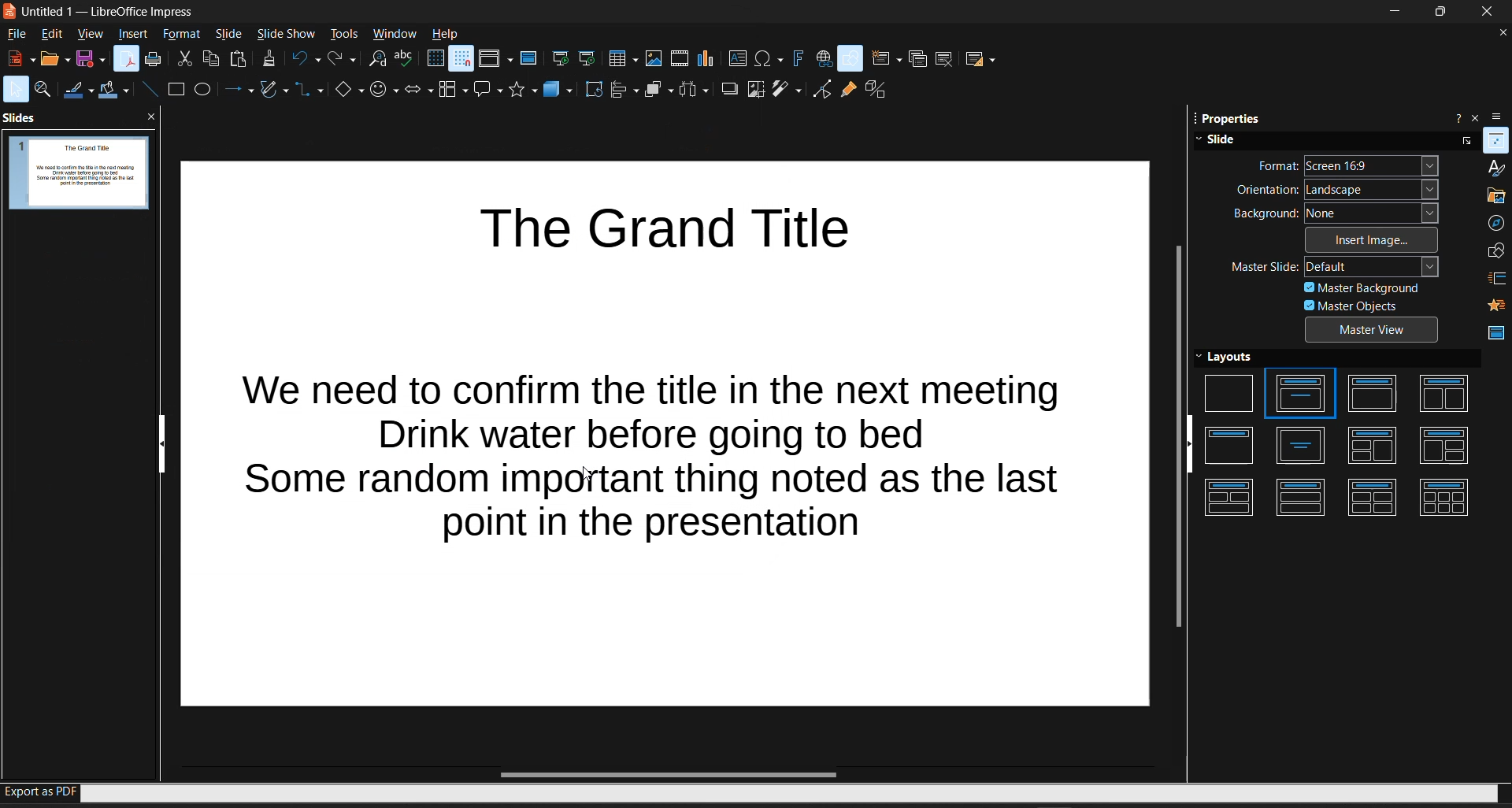 This screenshot has height=808, width=1512. What do you see at coordinates (885, 59) in the screenshot?
I see `new slide` at bounding box center [885, 59].